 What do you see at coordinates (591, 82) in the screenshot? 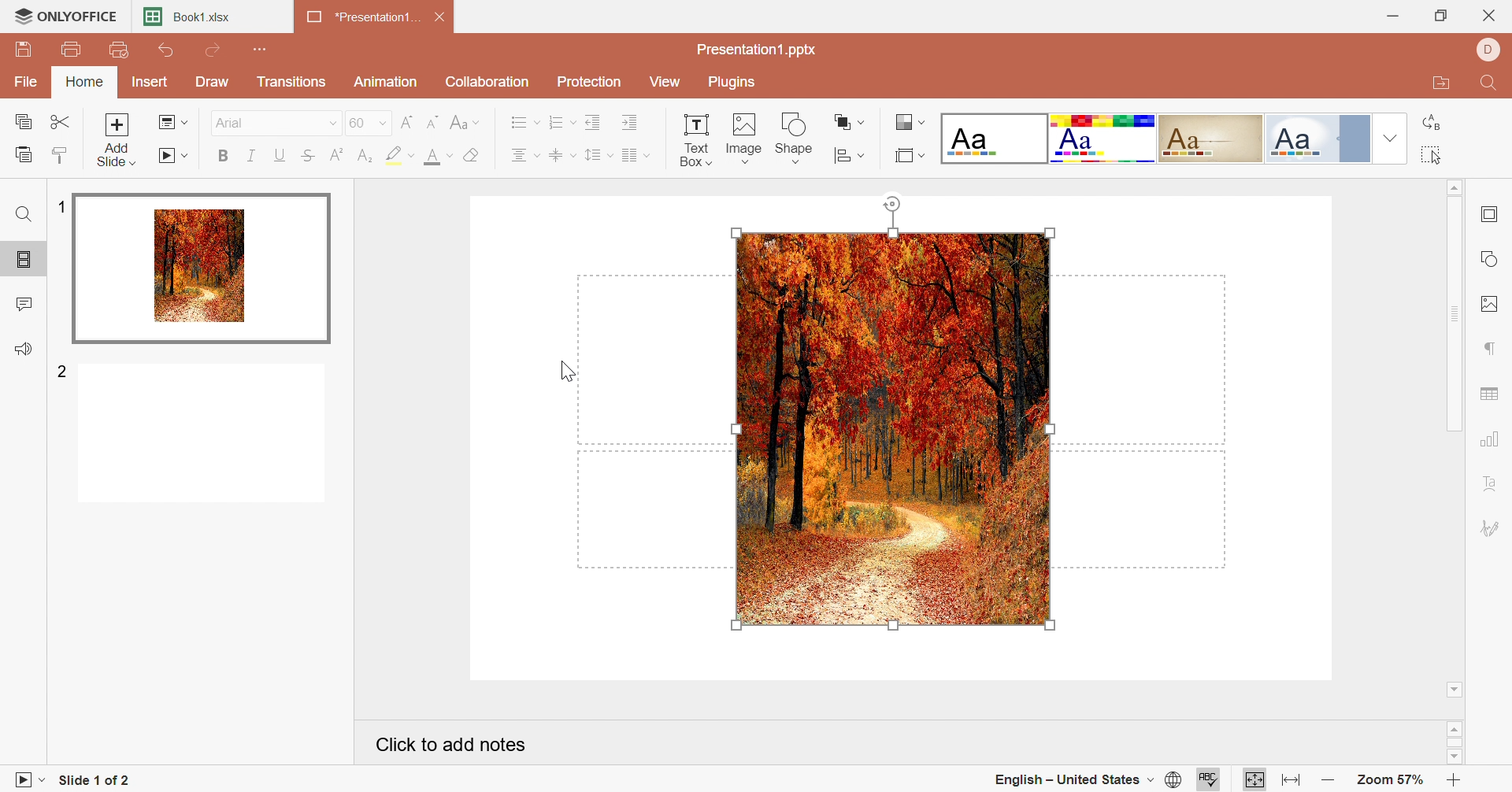
I see `Protection` at bounding box center [591, 82].